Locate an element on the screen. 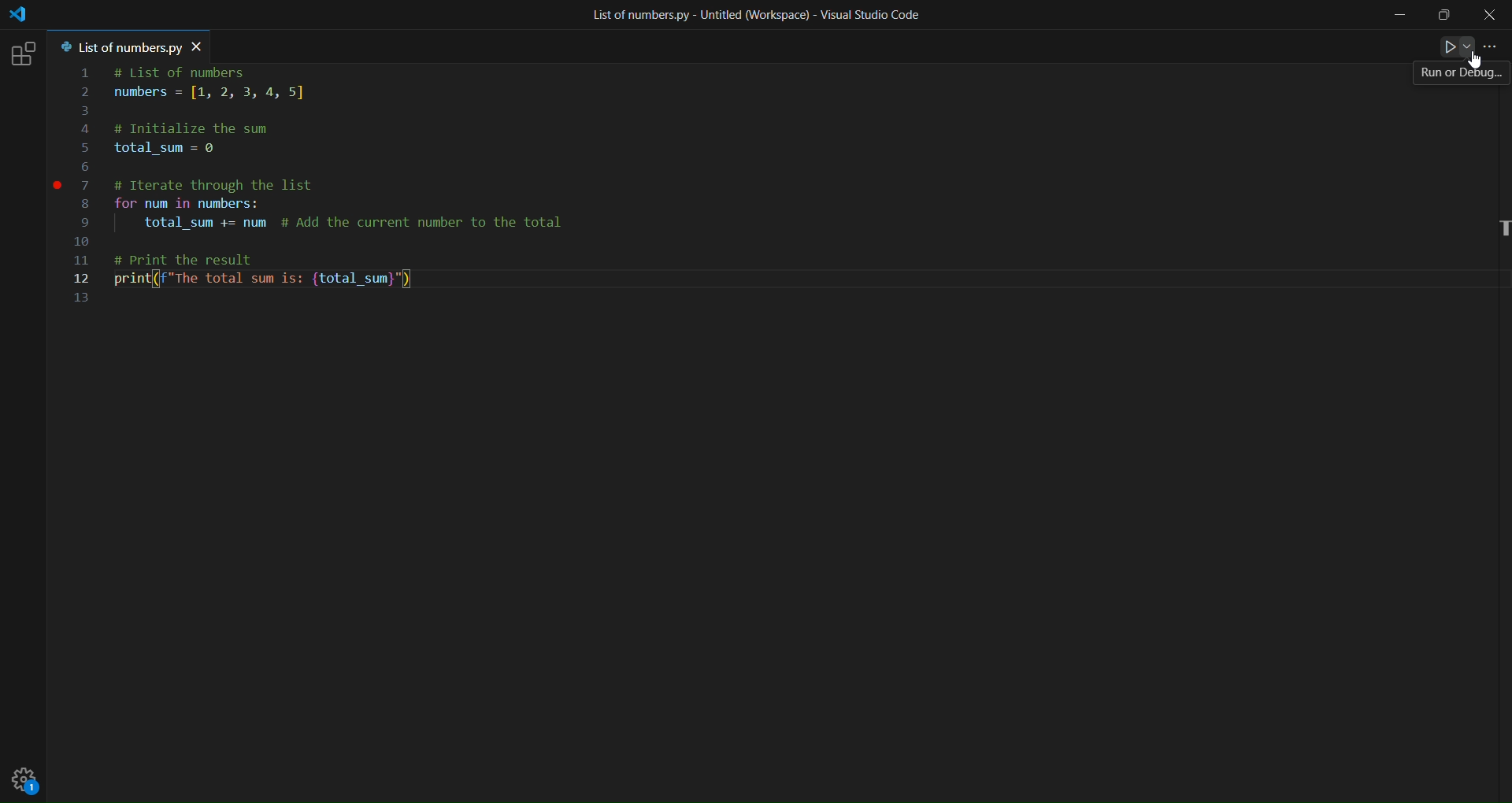  more actions is located at coordinates (1492, 47).